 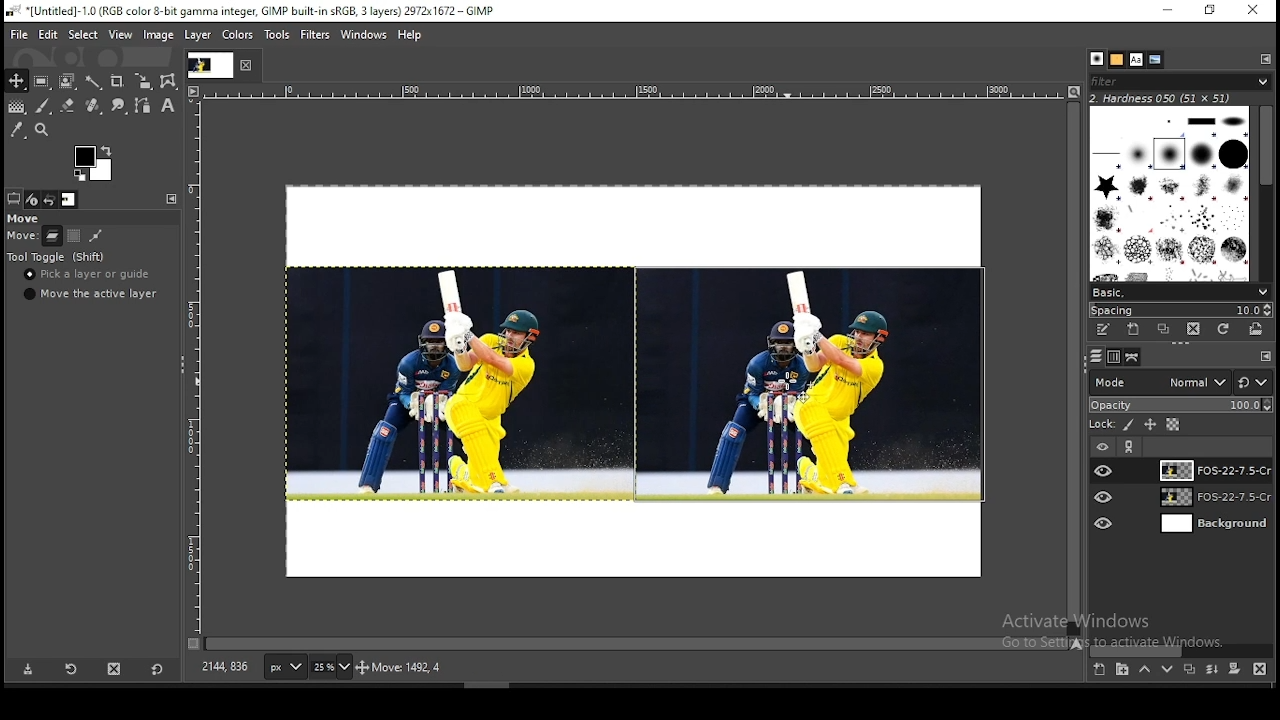 What do you see at coordinates (1151, 426) in the screenshot?
I see `lock size and position` at bounding box center [1151, 426].